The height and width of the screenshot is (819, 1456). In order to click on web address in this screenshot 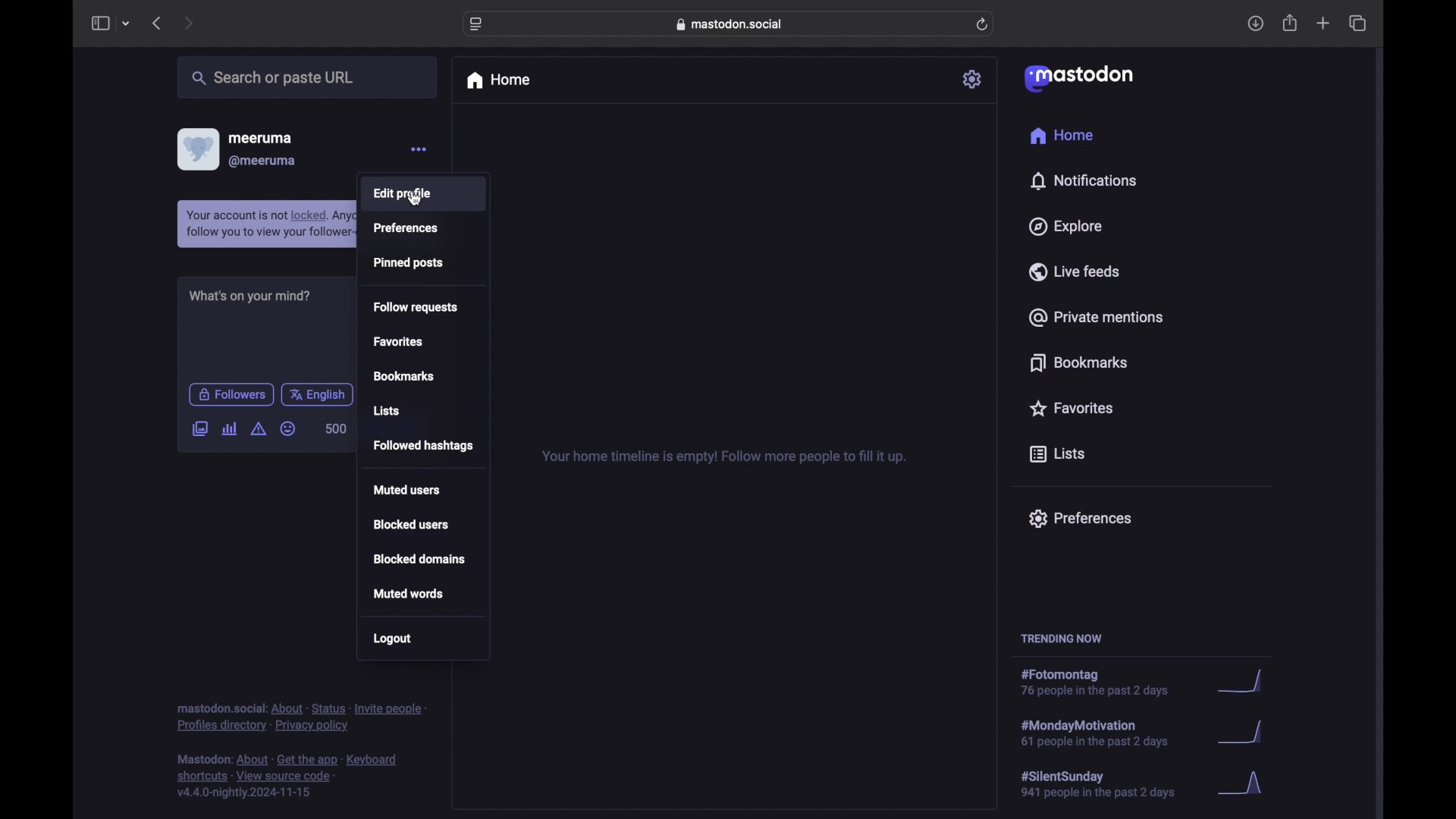, I will do `click(729, 24)`.